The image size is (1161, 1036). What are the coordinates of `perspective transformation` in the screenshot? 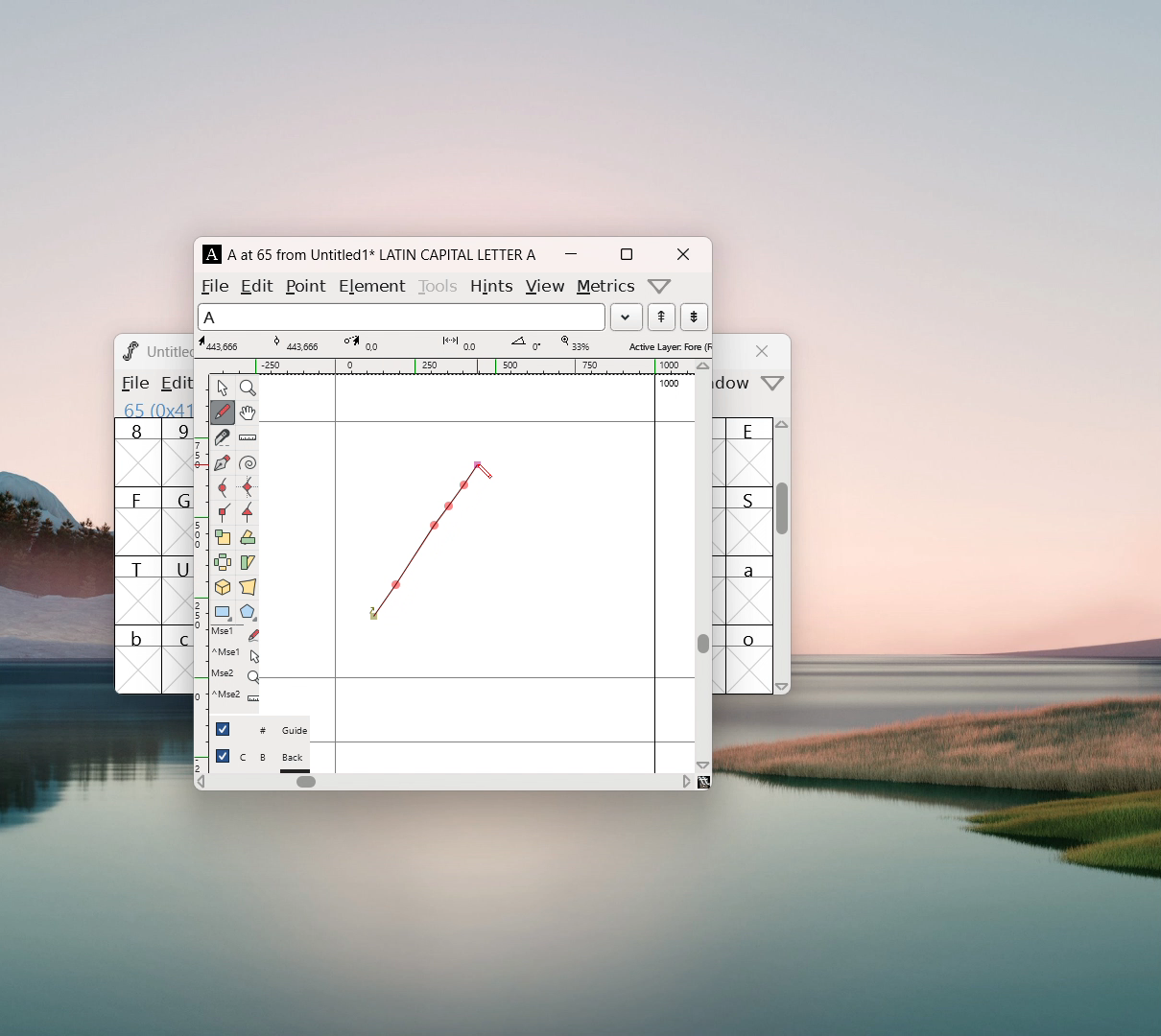 It's located at (248, 589).